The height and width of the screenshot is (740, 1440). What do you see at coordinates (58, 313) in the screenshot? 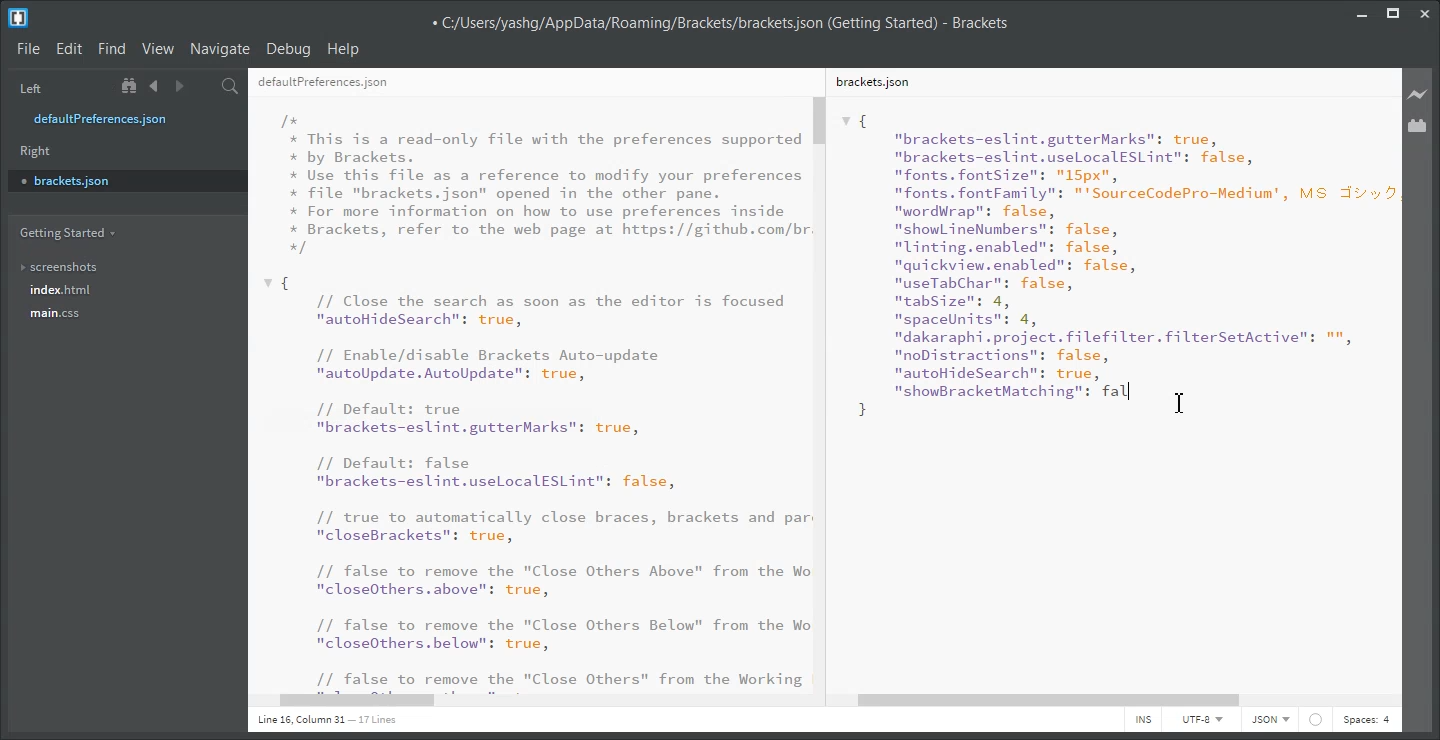
I see `main.css` at bounding box center [58, 313].